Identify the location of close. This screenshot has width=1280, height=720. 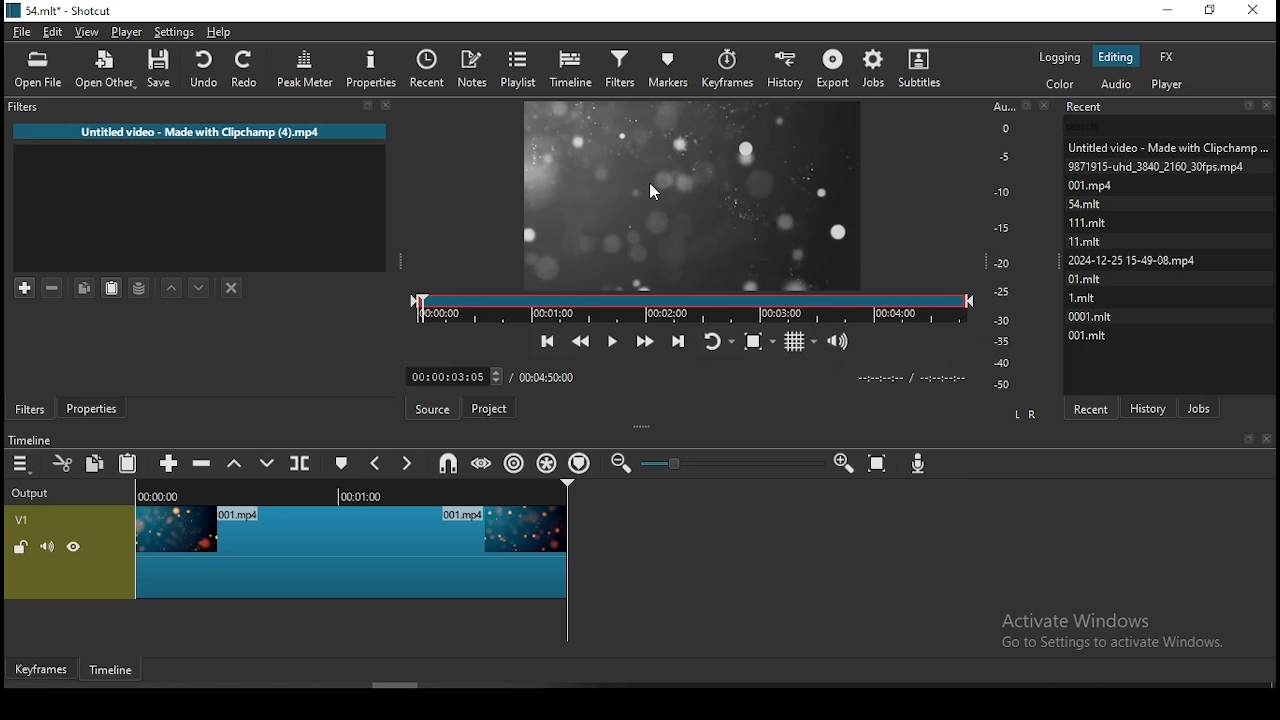
(1267, 438).